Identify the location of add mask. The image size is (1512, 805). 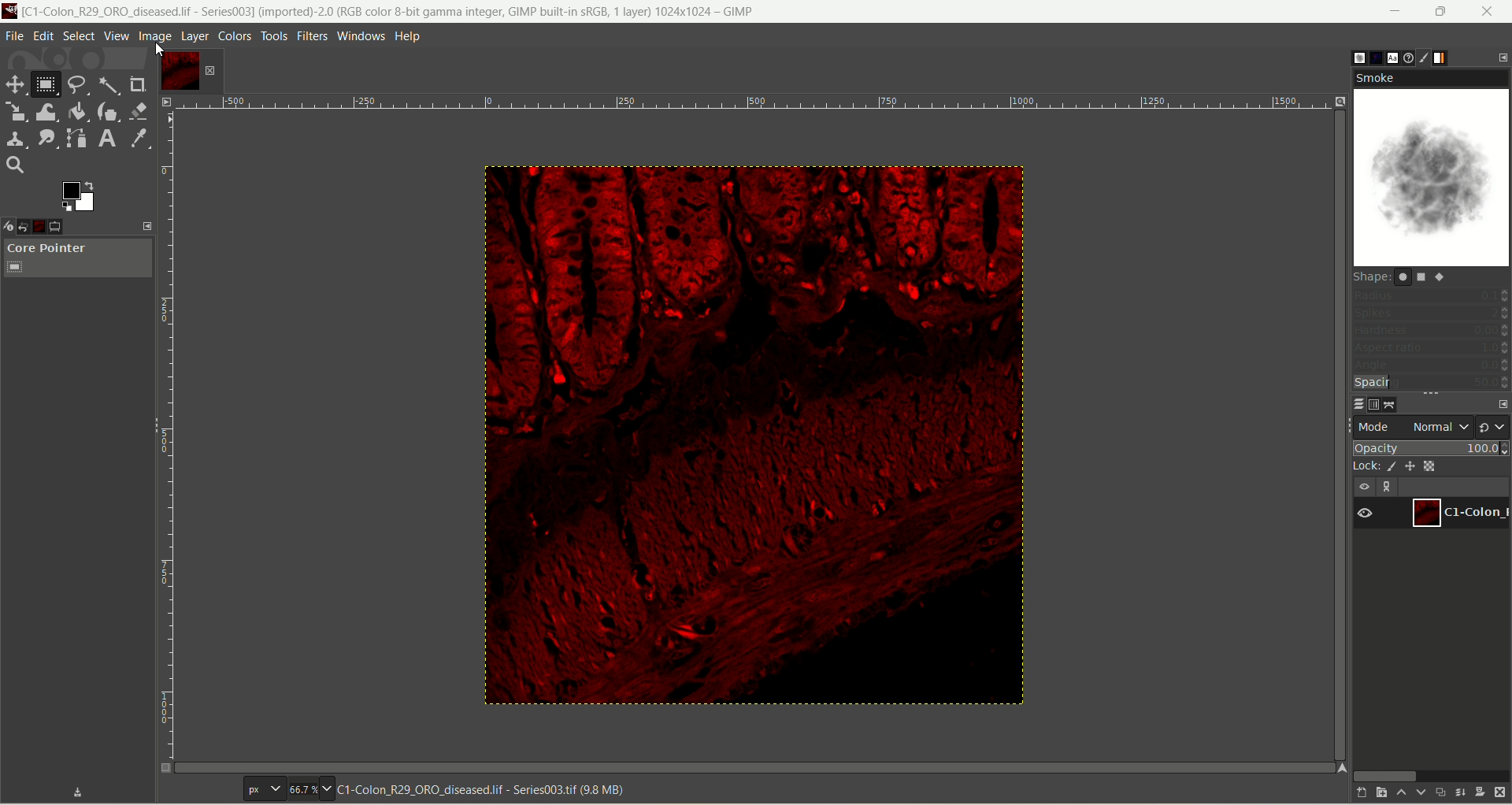
(1480, 794).